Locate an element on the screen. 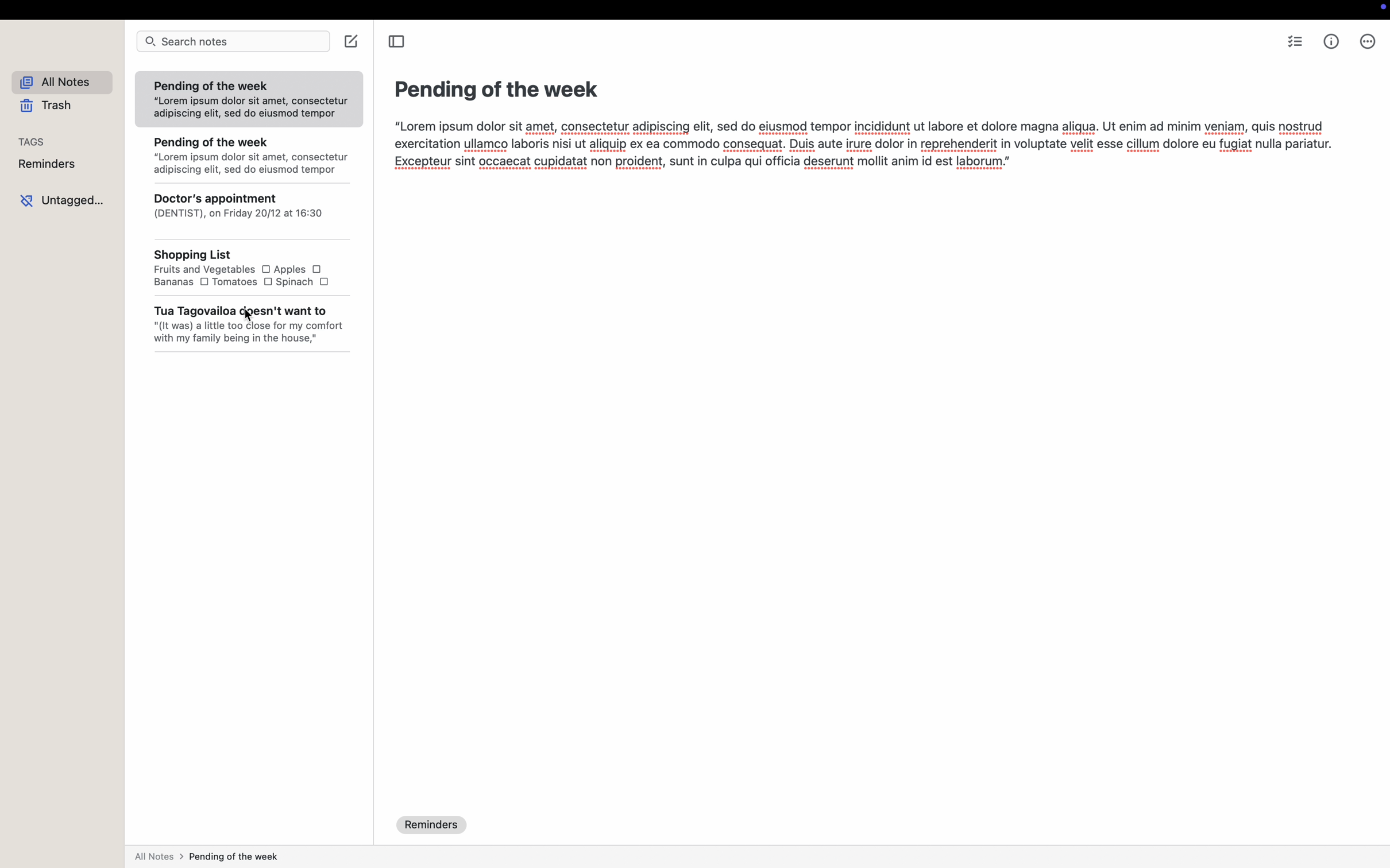 The height and width of the screenshot is (868, 1390). trash is located at coordinates (44, 106).